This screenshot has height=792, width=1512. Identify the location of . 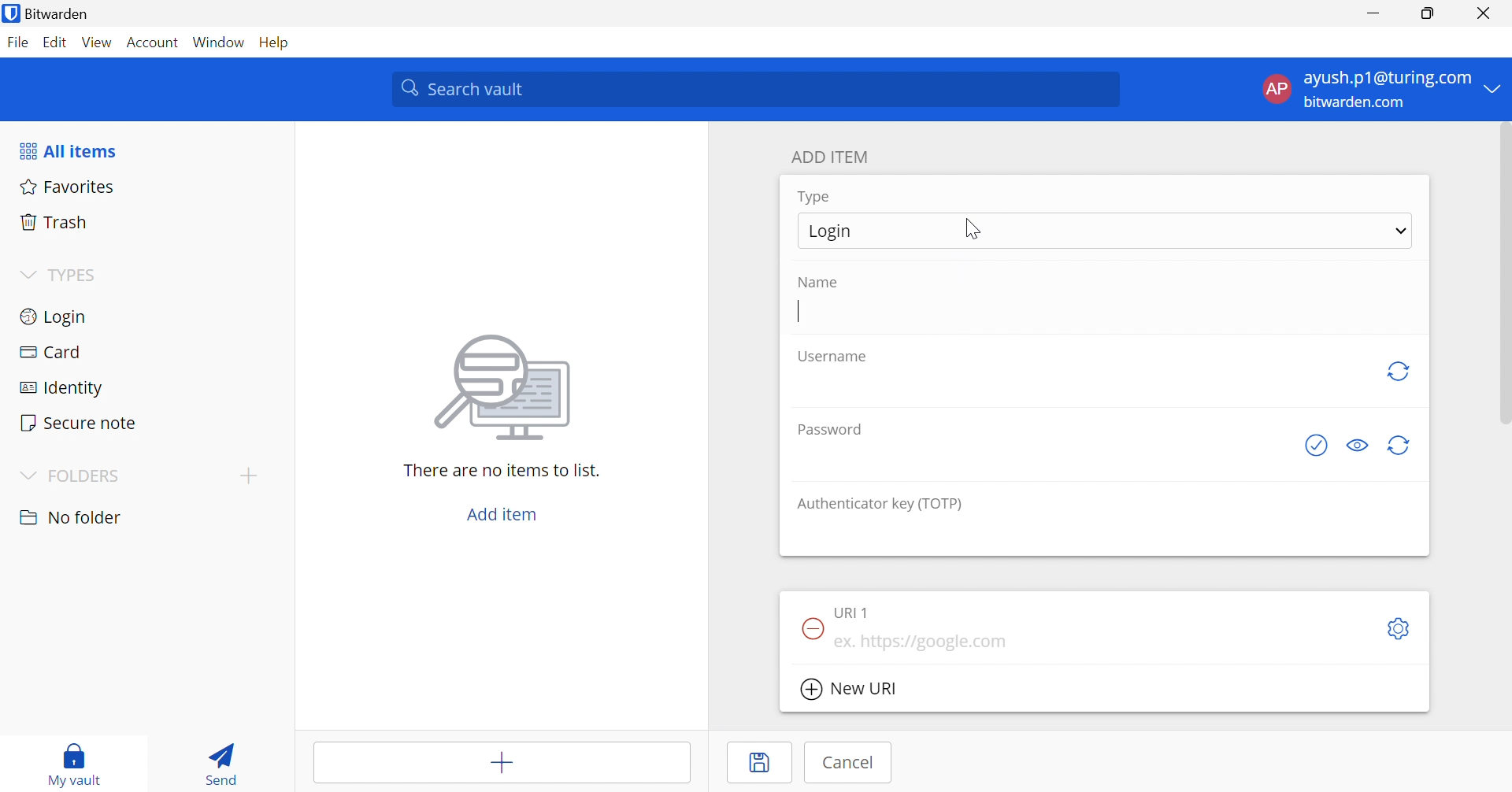
(824, 281).